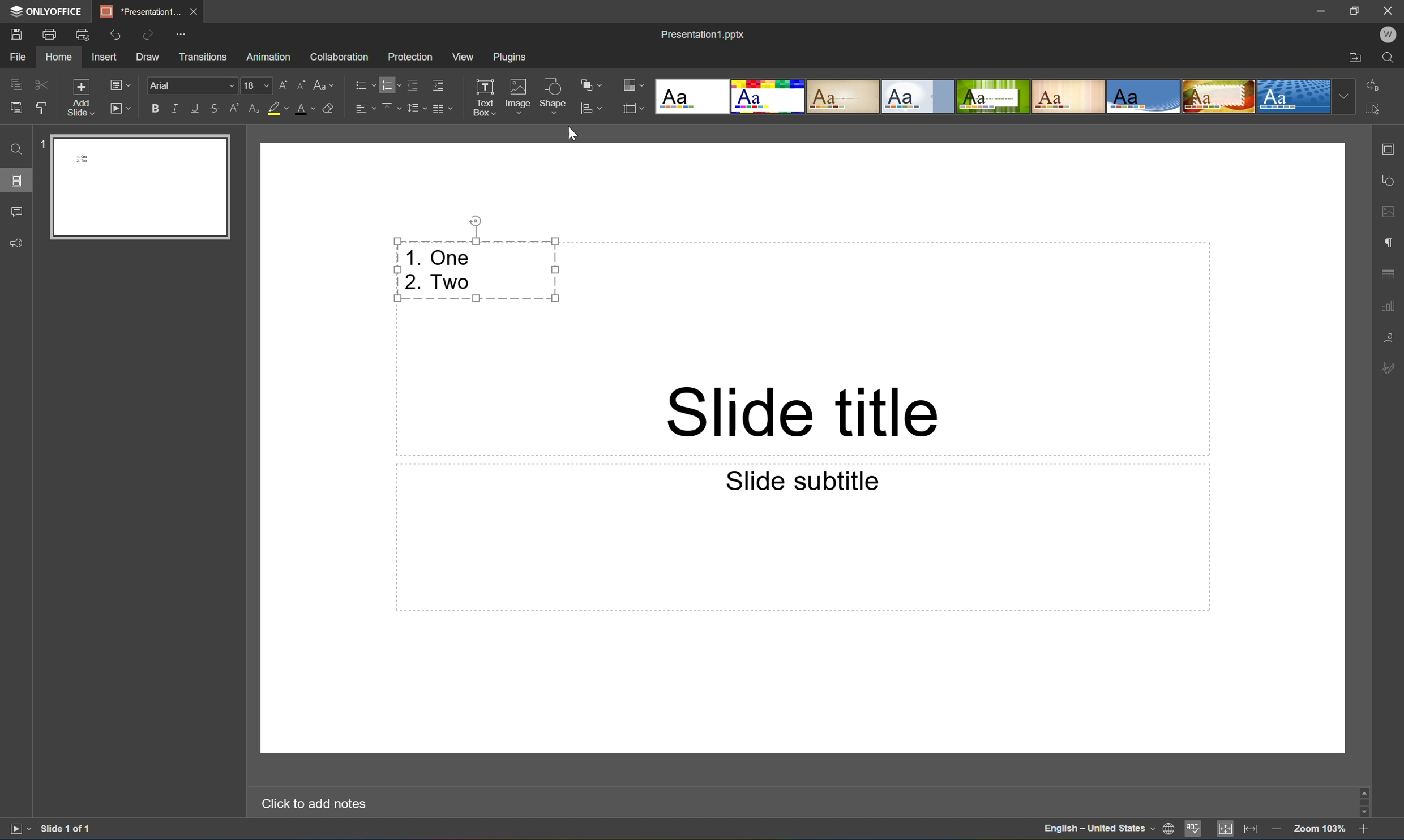 This screenshot has height=840, width=1404. Describe the element at coordinates (450, 282) in the screenshot. I see `Two` at that location.